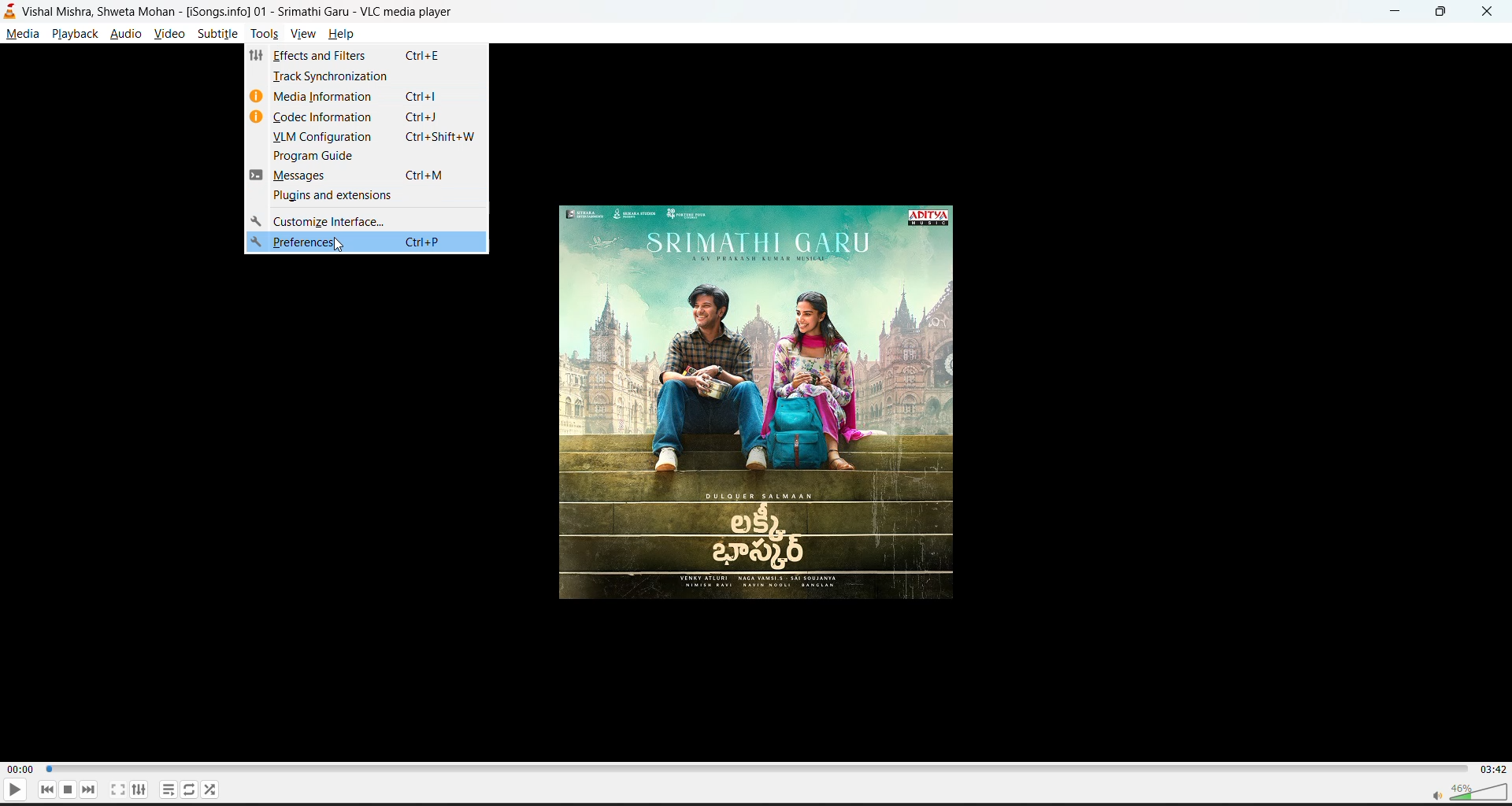 The height and width of the screenshot is (806, 1512). I want to click on playback, so click(76, 35).